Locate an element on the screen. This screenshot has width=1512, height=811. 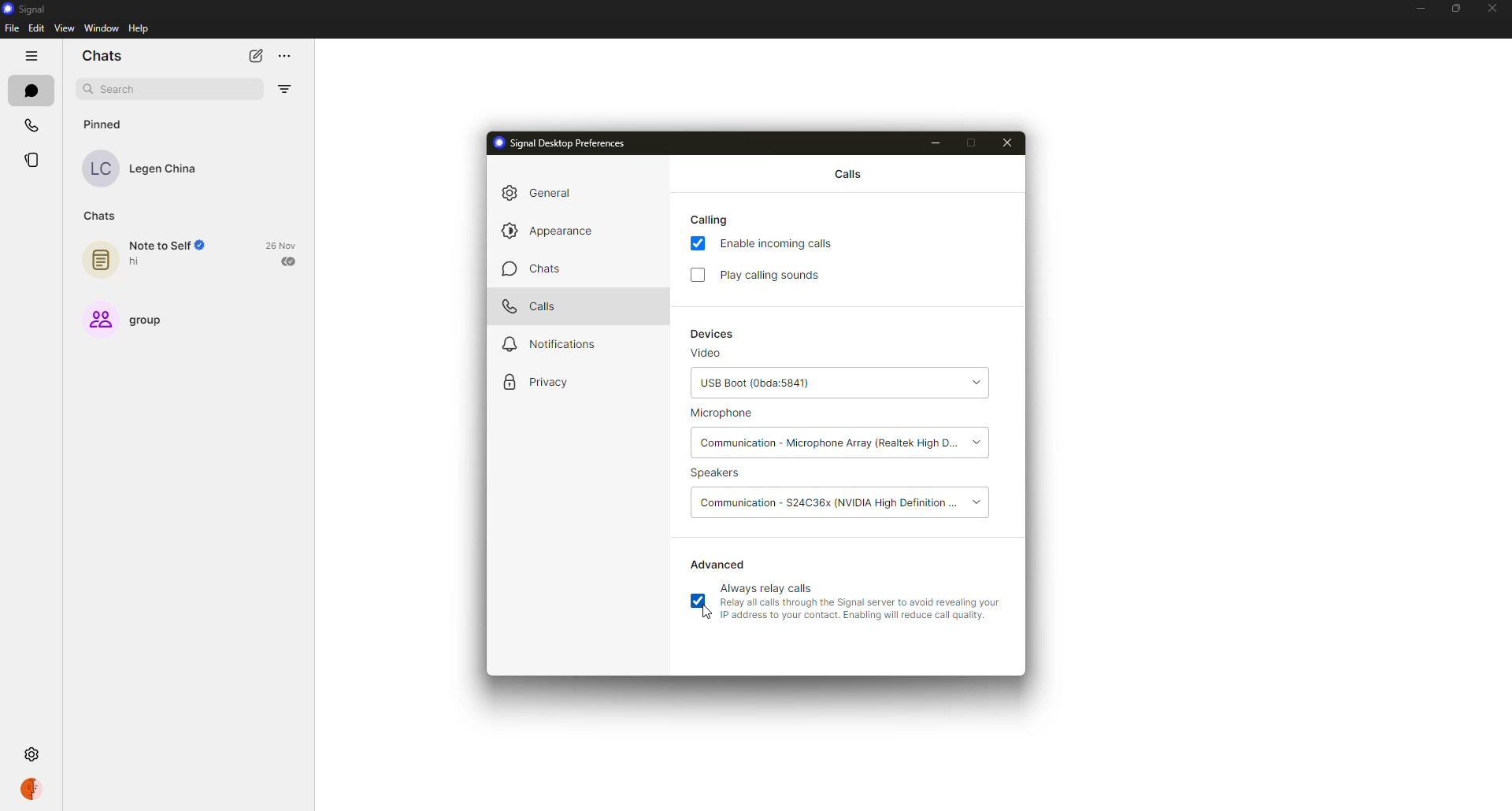
play calling sounds is located at coordinates (776, 275).